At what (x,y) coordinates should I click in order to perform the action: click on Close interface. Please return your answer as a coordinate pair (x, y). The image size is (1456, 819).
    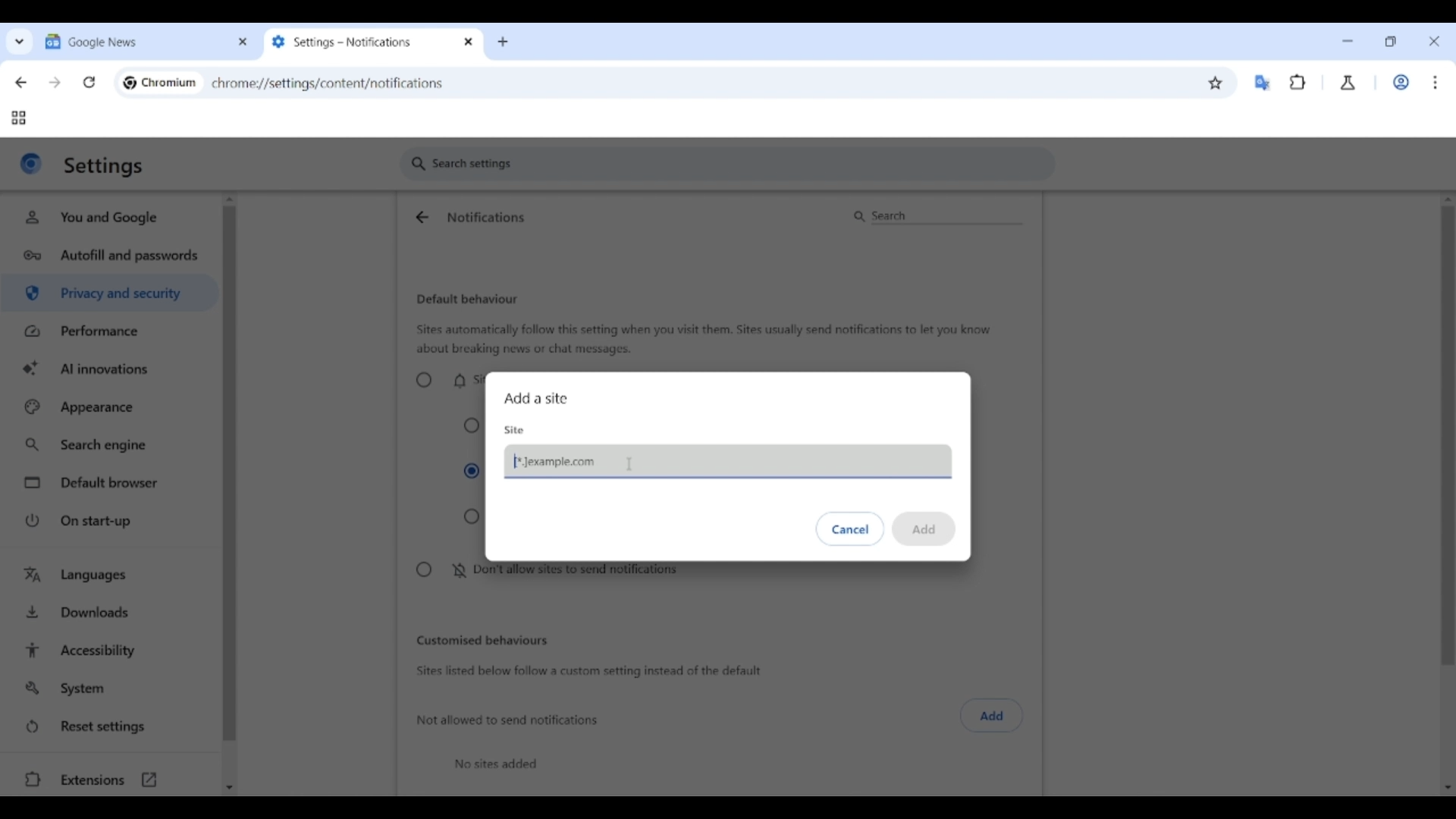
    Looking at the image, I should click on (1434, 41).